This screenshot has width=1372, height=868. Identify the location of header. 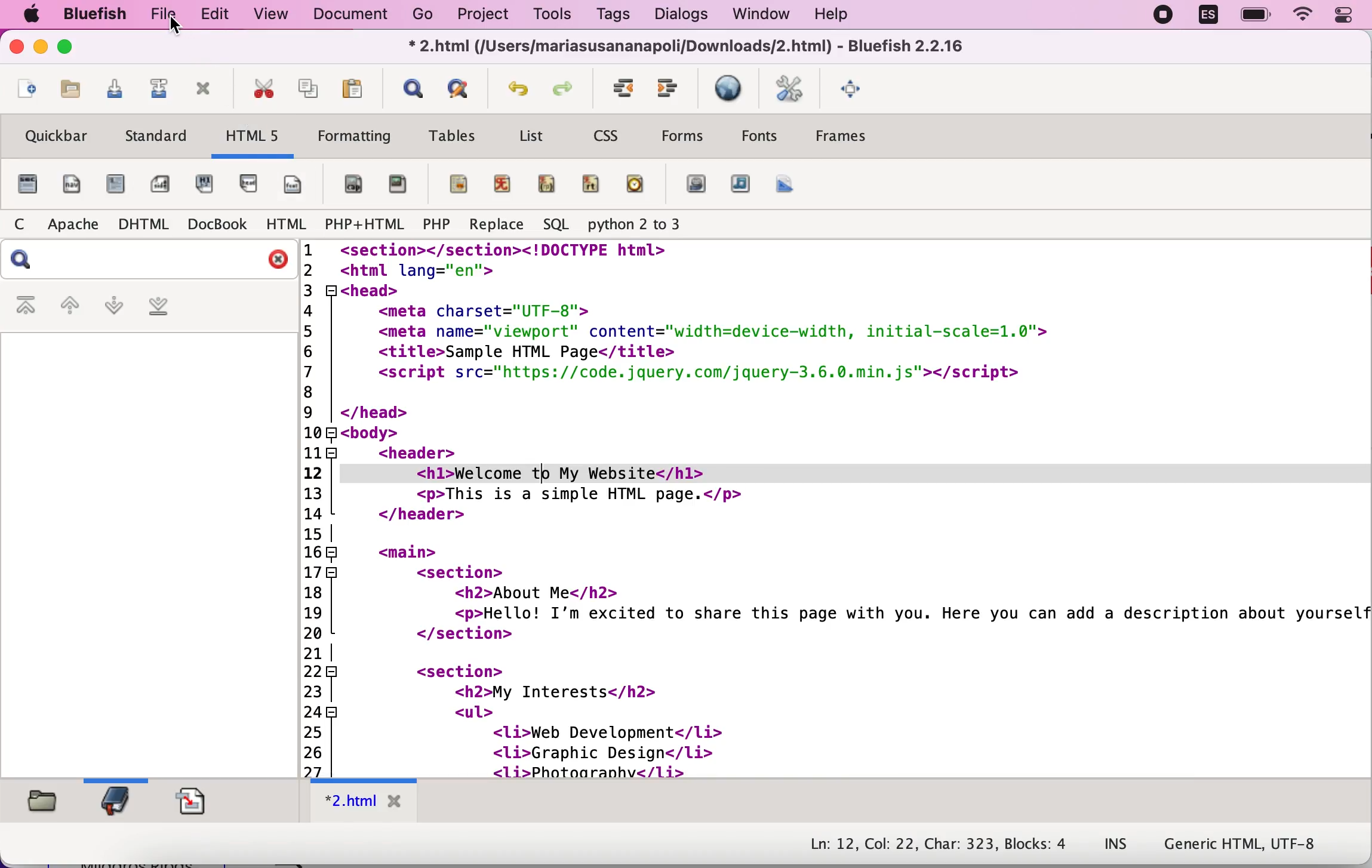
(250, 187).